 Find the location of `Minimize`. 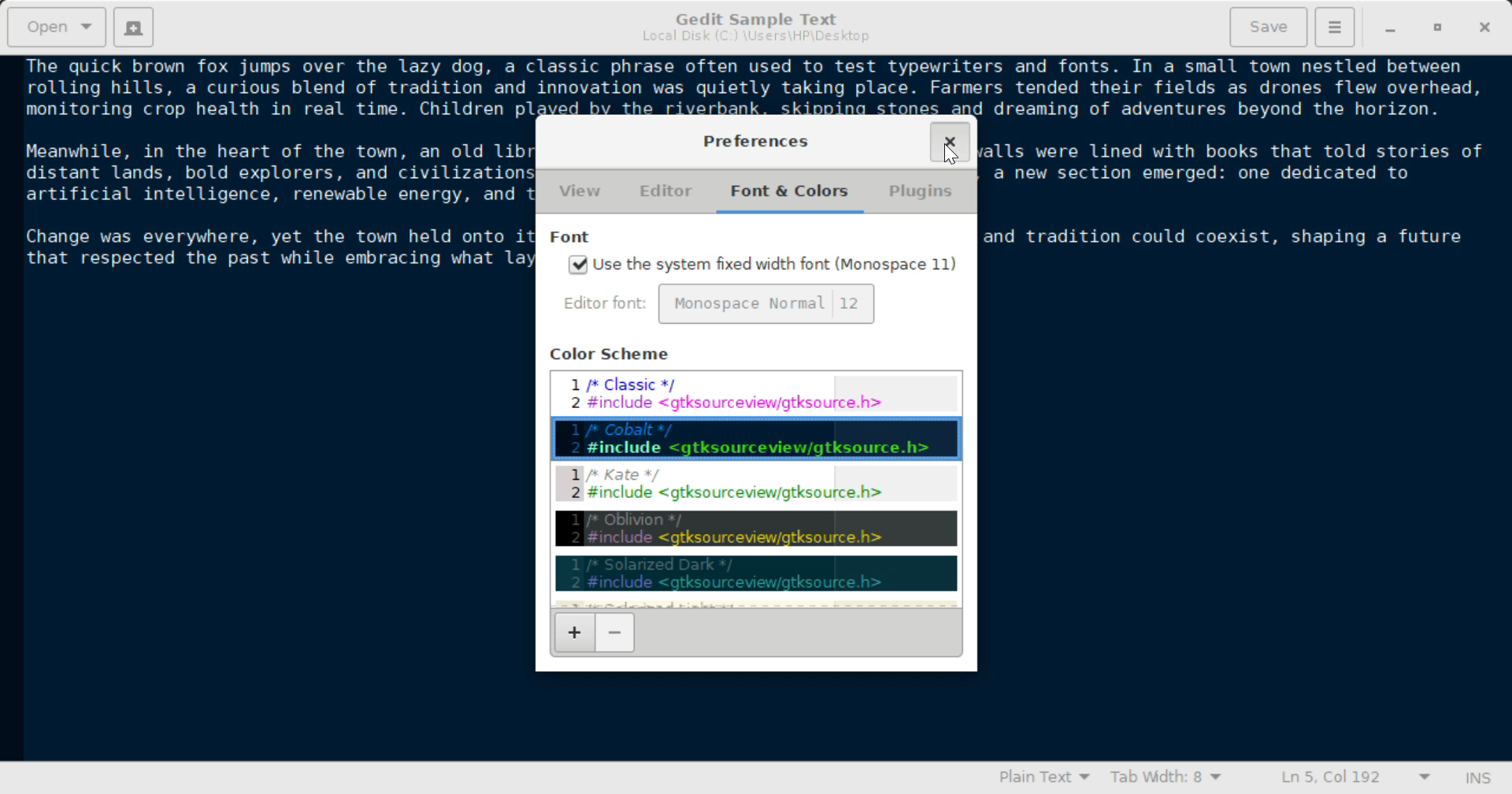

Minimize is located at coordinates (1440, 28).